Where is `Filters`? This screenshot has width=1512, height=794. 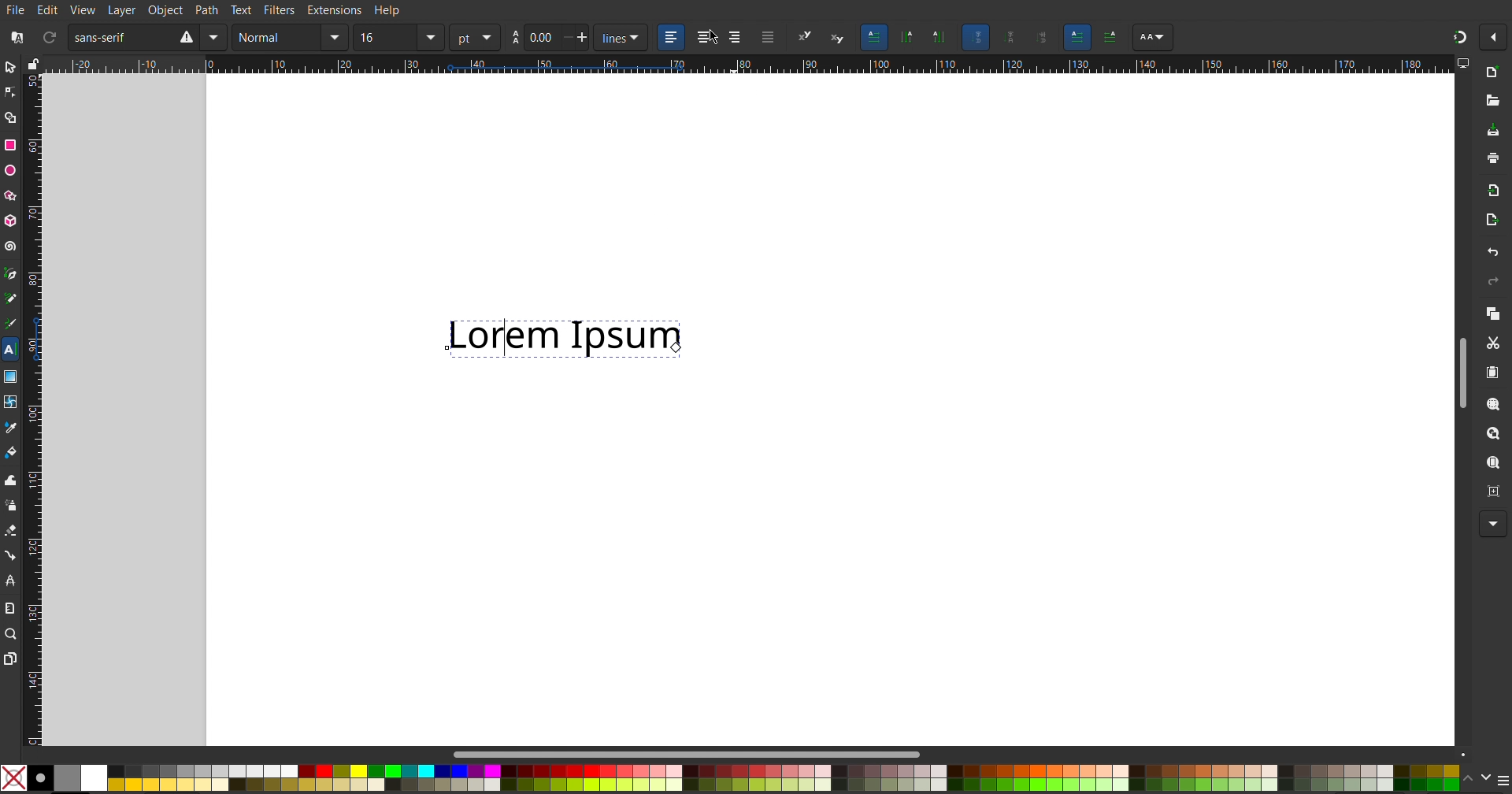
Filters is located at coordinates (277, 11).